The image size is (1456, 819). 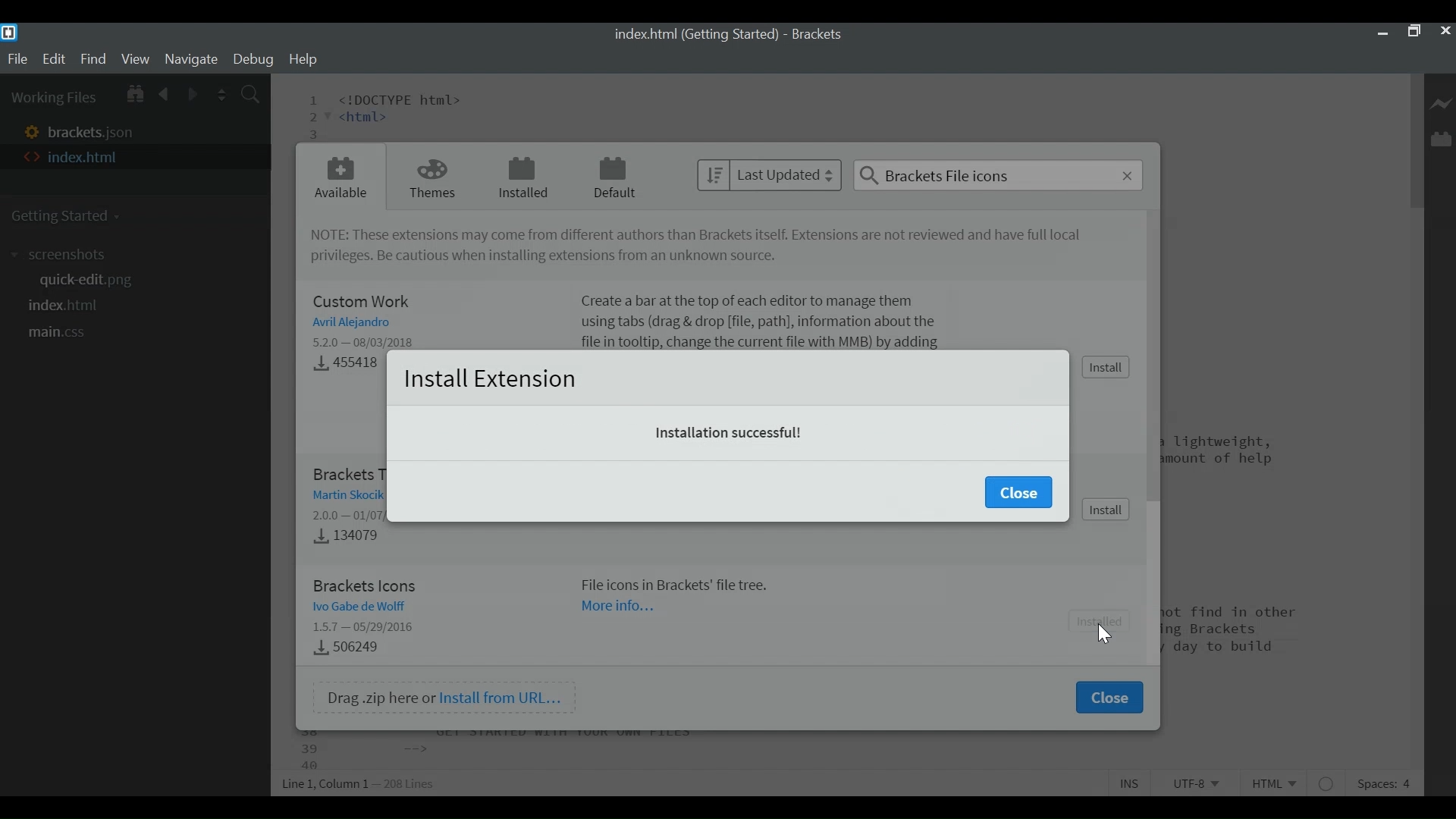 What do you see at coordinates (135, 60) in the screenshot?
I see `View` at bounding box center [135, 60].